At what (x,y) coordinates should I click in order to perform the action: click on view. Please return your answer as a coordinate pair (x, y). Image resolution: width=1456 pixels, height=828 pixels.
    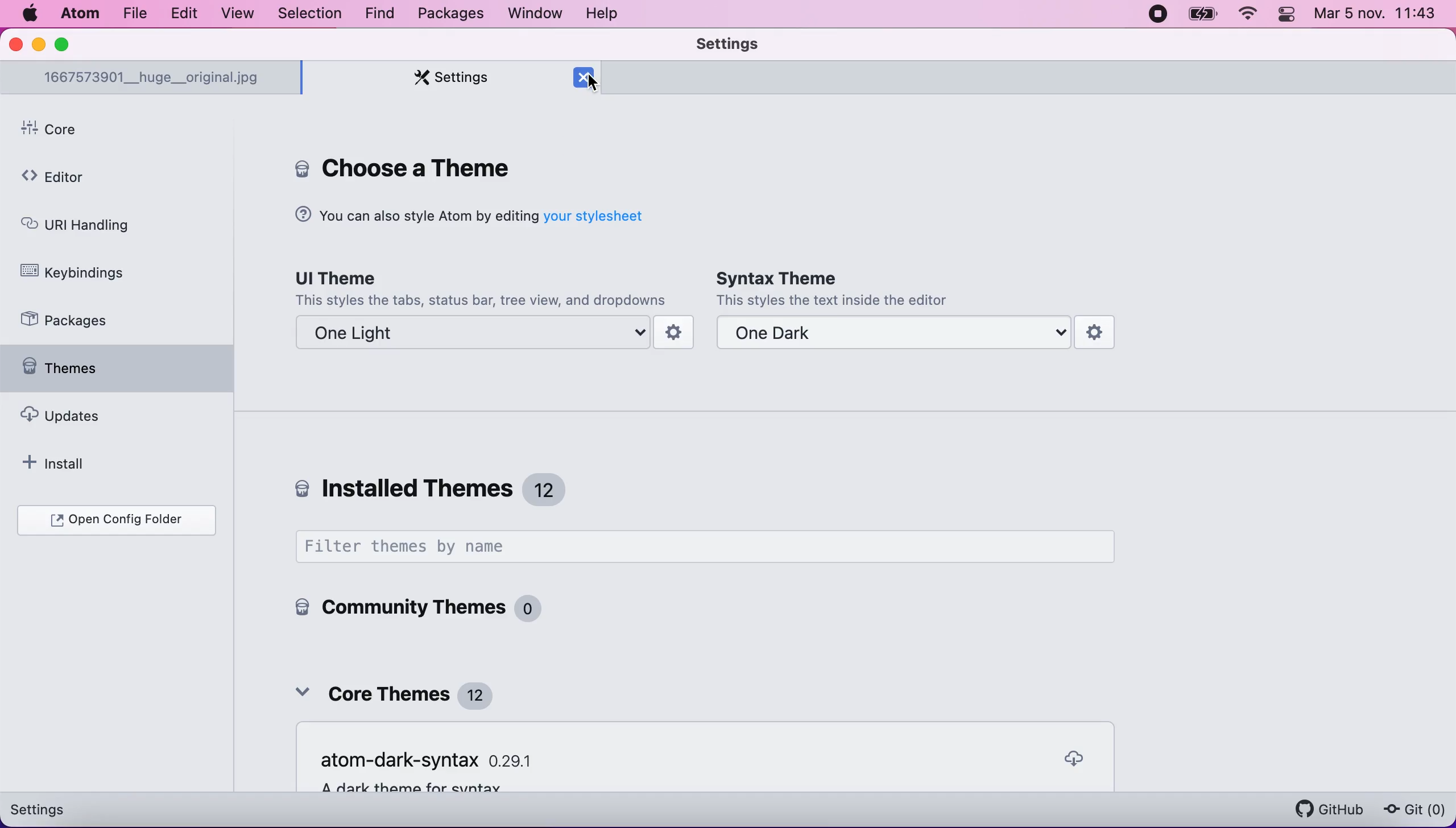
    Looking at the image, I should click on (235, 15).